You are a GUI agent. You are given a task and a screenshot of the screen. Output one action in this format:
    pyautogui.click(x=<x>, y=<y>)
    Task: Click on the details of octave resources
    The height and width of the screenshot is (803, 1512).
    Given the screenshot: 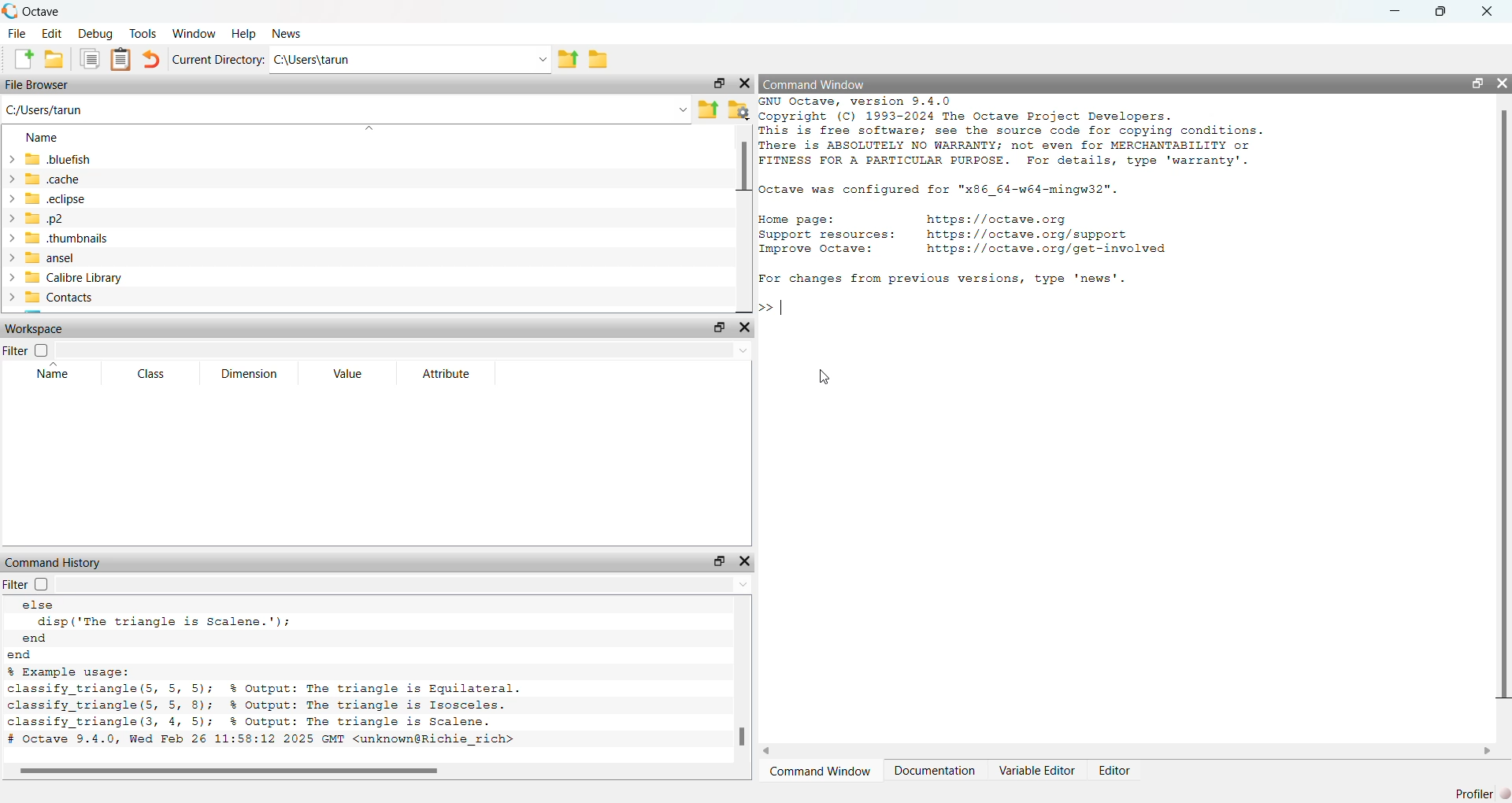 What is the action you would take?
    pyautogui.click(x=963, y=237)
    